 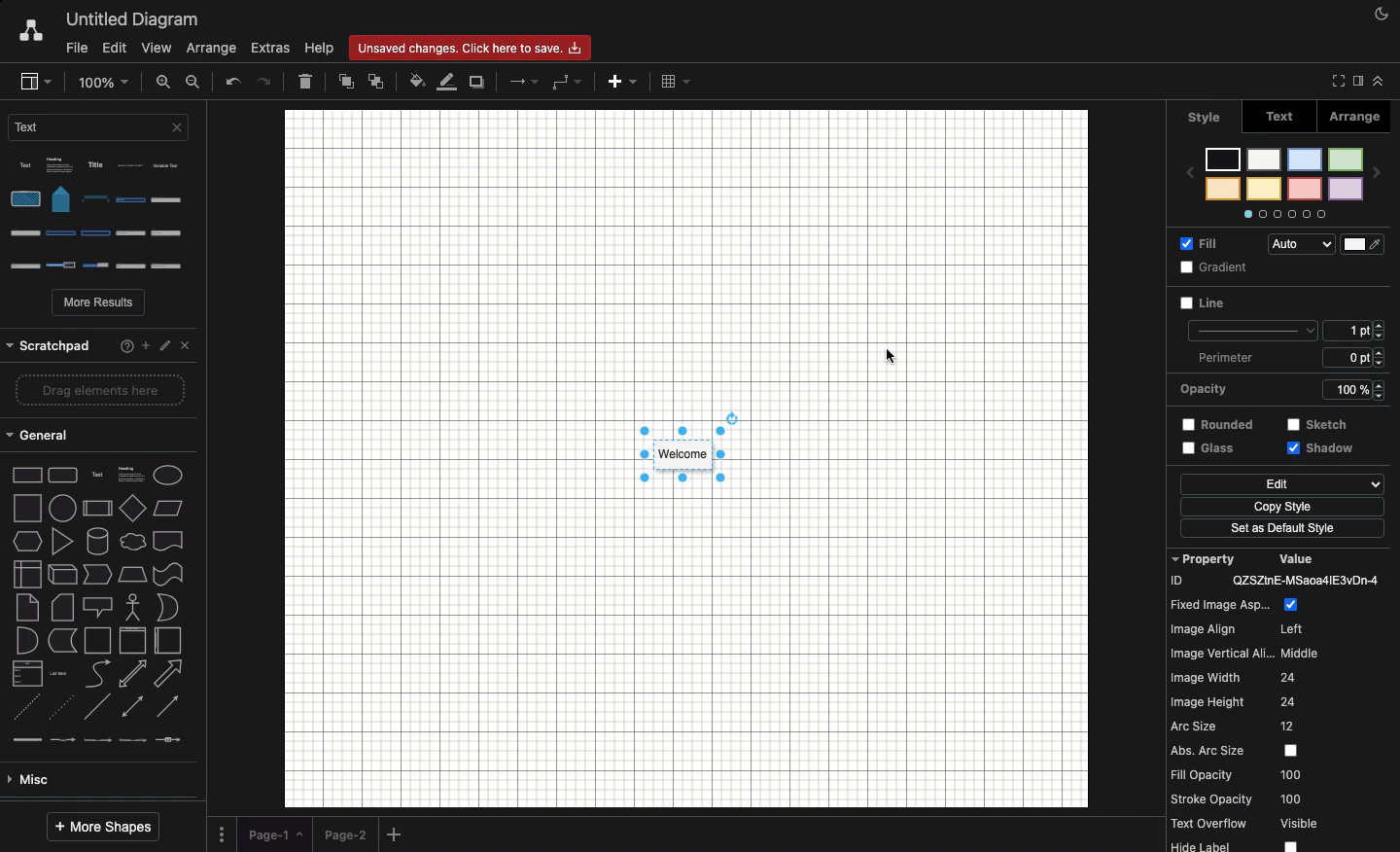 I want to click on Draw.io, so click(x=30, y=32).